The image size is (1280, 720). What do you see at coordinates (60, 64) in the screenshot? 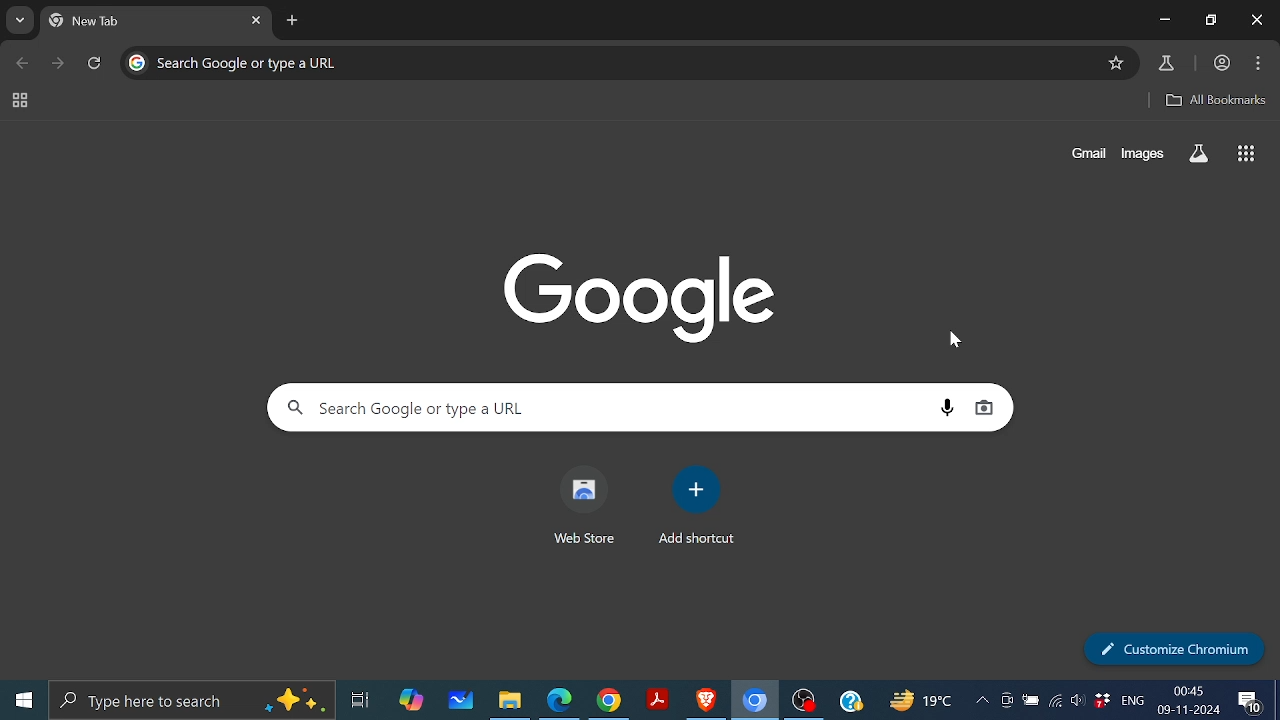
I see `next page` at bounding box center [60, 64].